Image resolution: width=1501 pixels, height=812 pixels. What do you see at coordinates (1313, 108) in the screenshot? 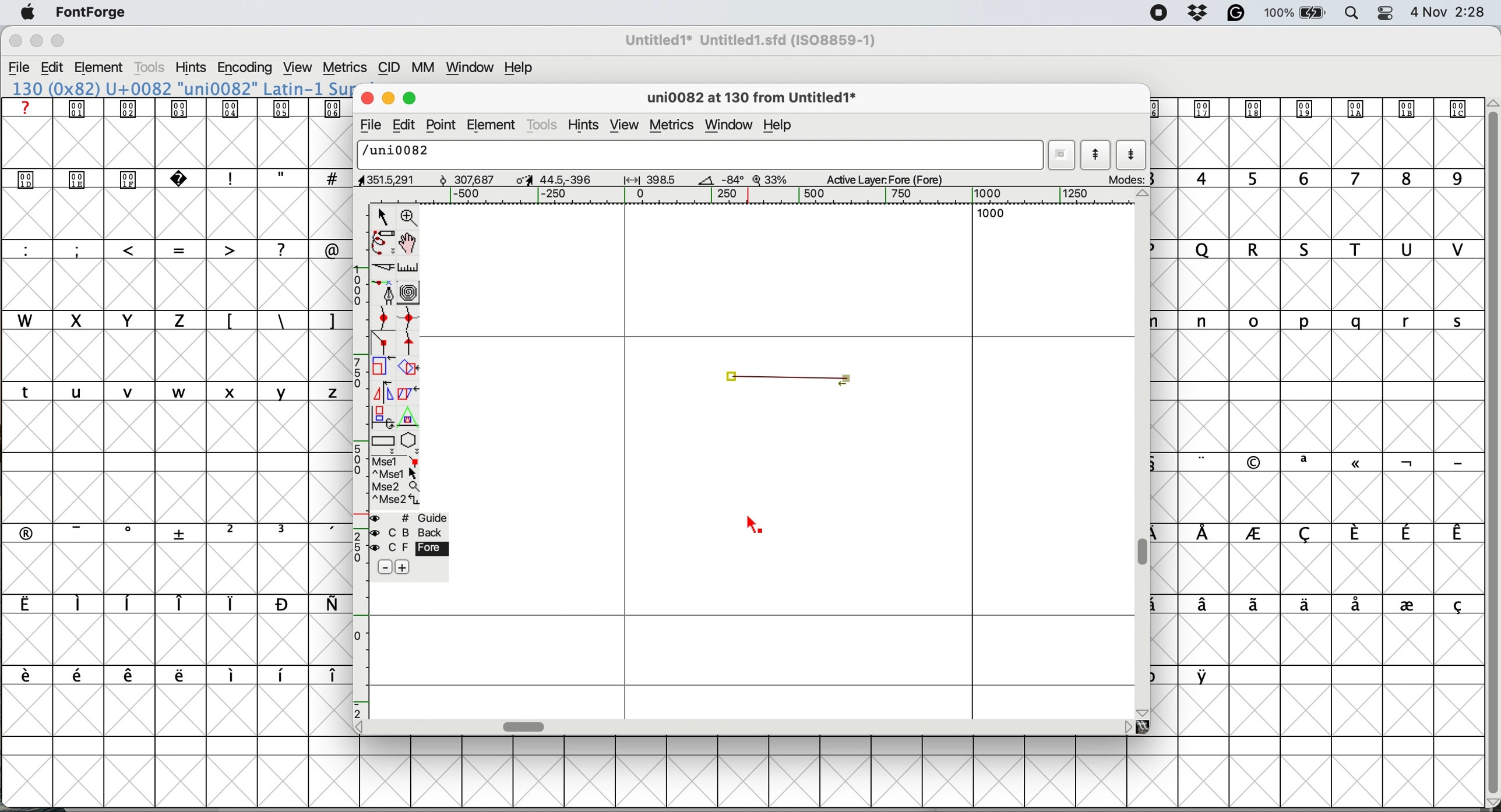
I see `symbol` at bounding box center [1313, 108].